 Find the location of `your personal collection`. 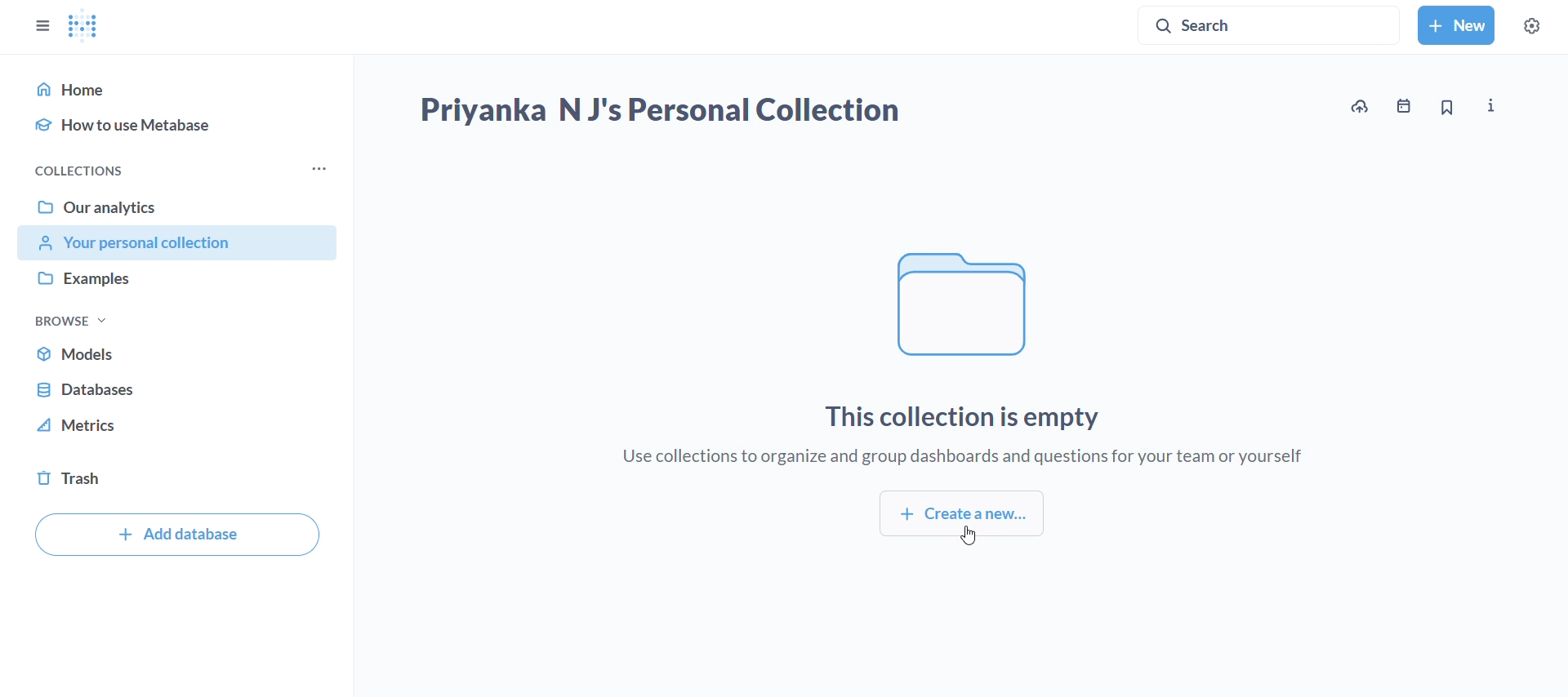

your personal collection is located at coordinates (177, 244).